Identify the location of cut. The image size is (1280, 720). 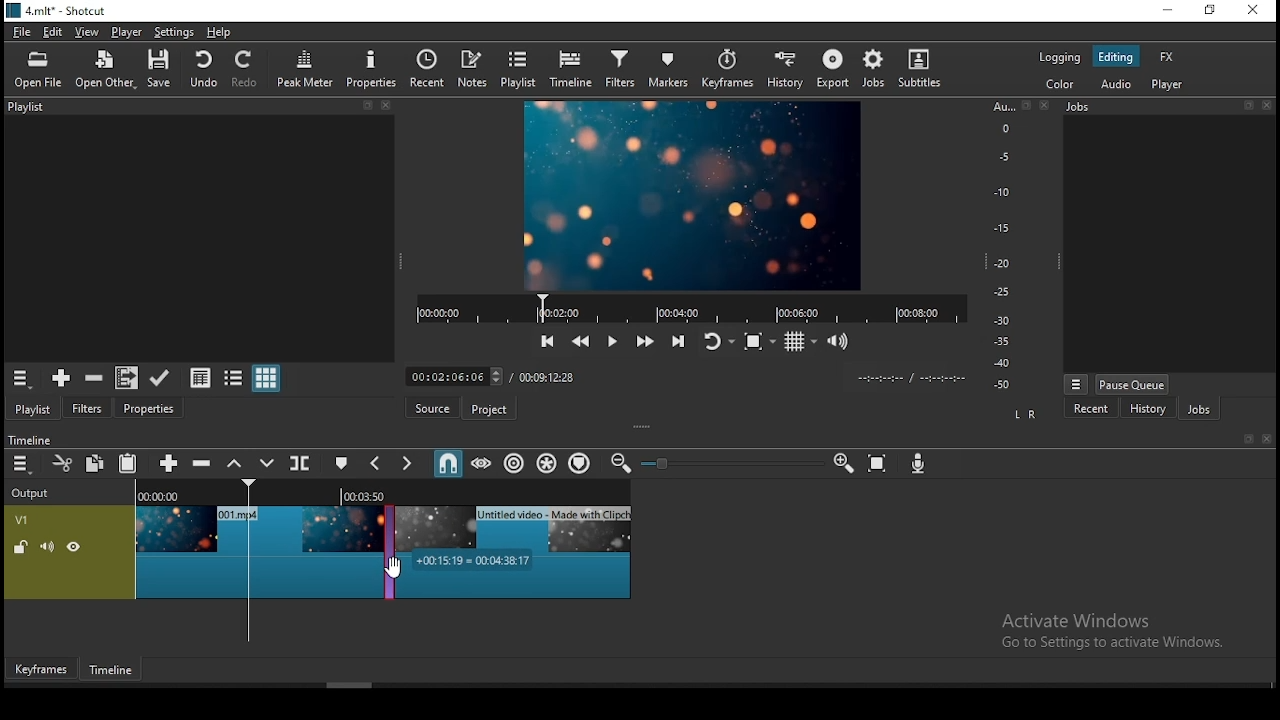
(61, 462).